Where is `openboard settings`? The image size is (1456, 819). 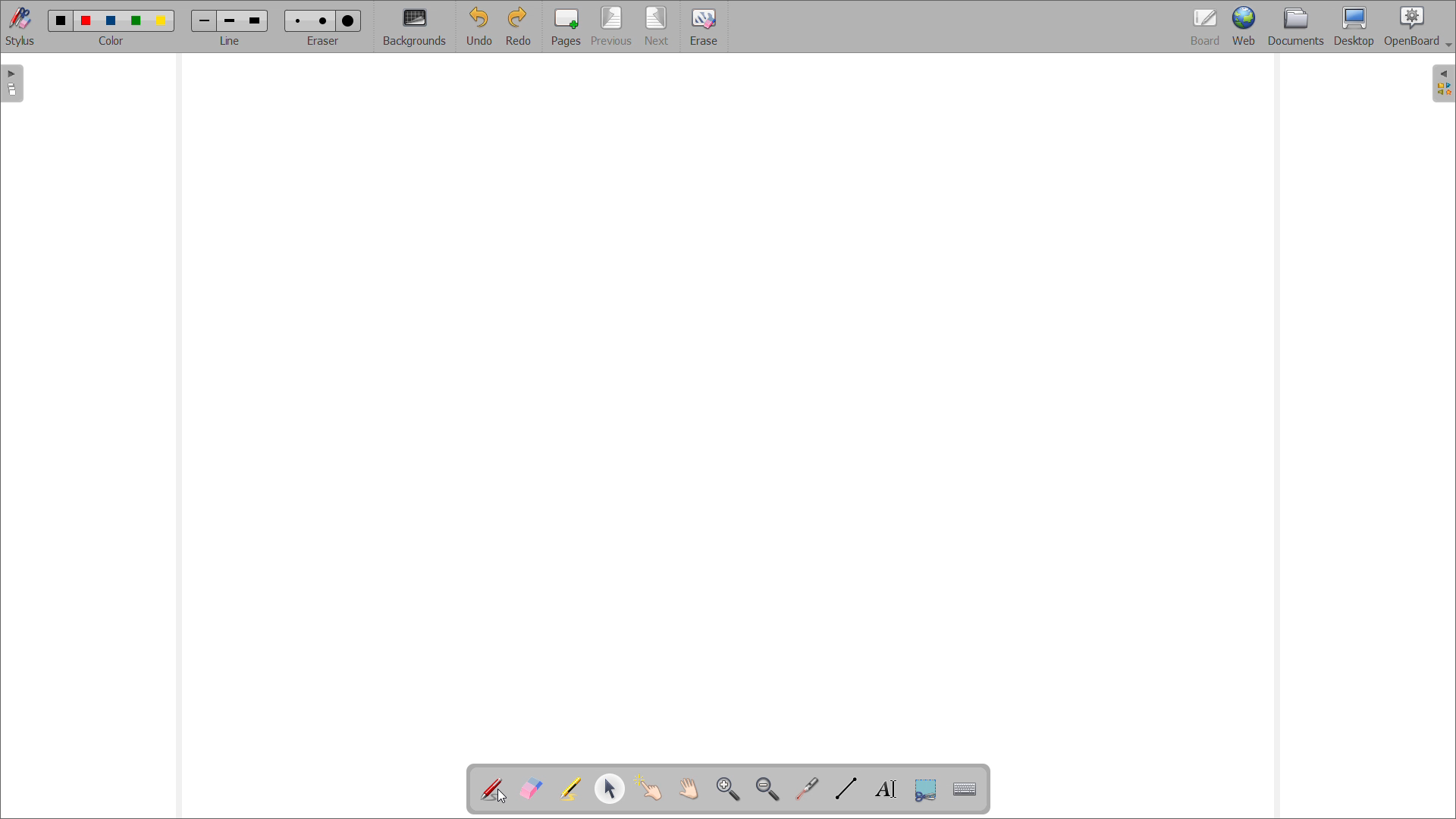
openboard settings is located at coordinates (1417, 27).